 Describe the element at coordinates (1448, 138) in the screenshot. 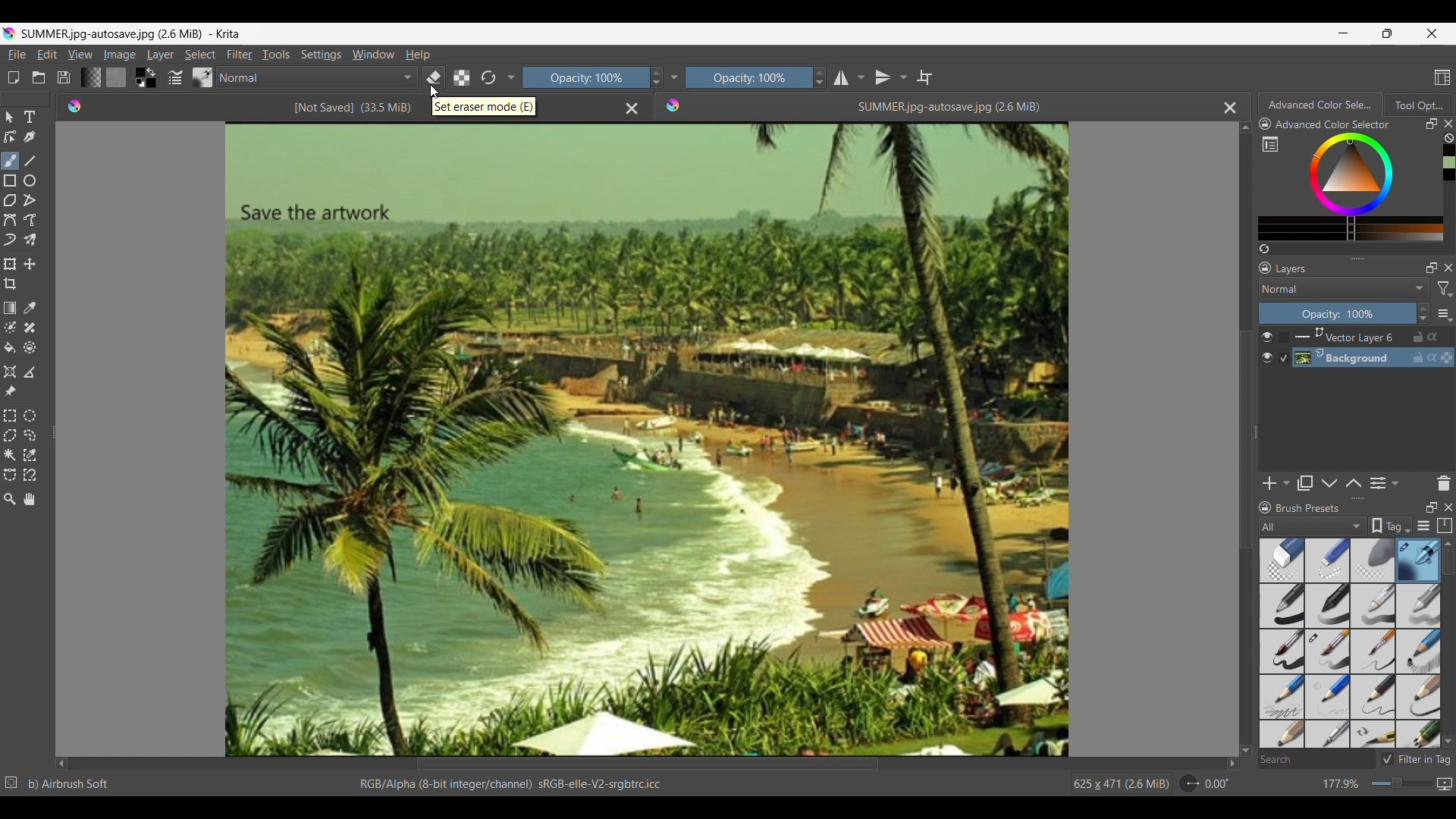

I see `Clear color history` at that location.